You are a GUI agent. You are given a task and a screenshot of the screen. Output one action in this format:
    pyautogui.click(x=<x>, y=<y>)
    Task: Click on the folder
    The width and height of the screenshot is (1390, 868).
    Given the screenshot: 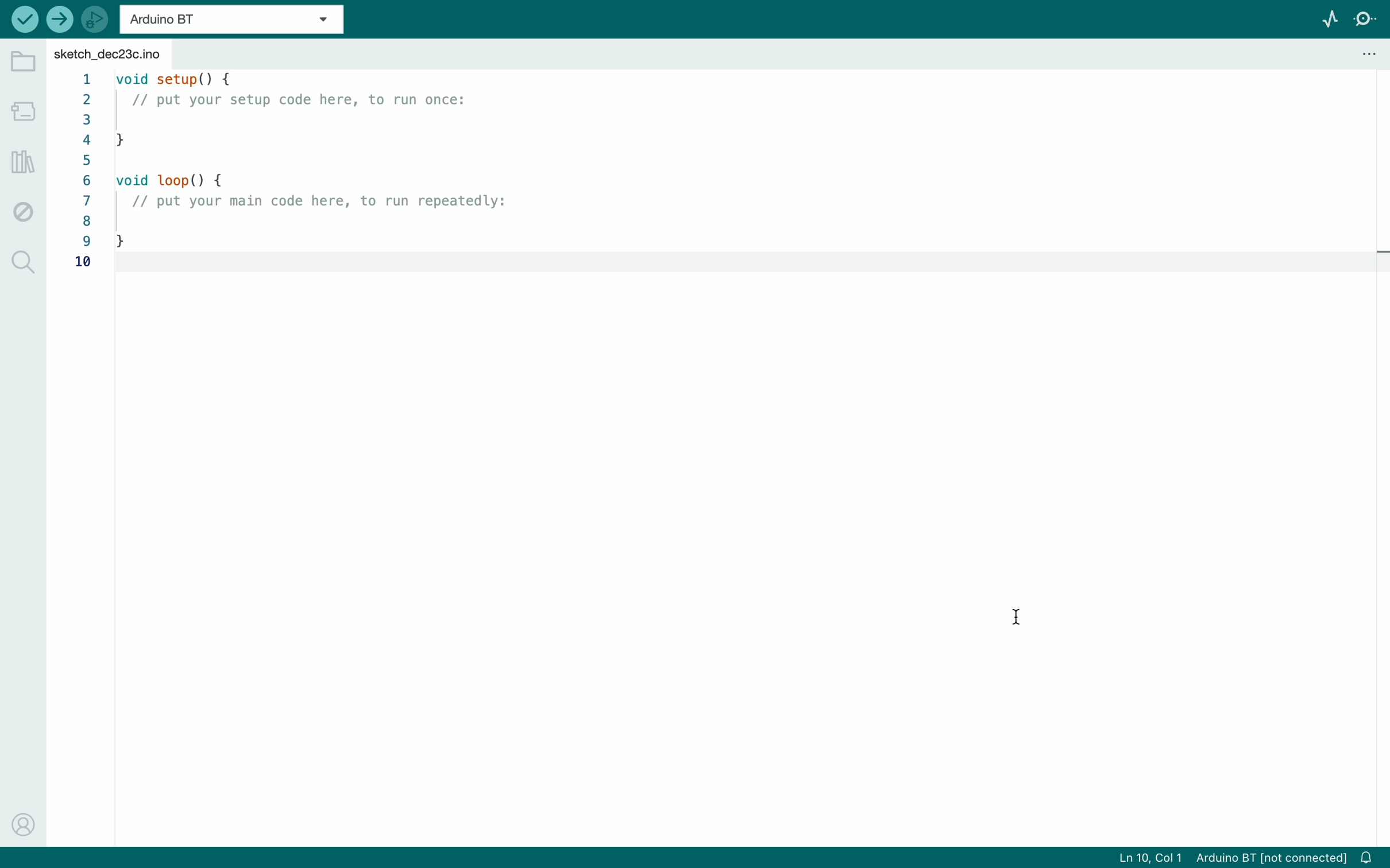 What is the action you would take?
    pyautogui.click(x=24, y=63)
    